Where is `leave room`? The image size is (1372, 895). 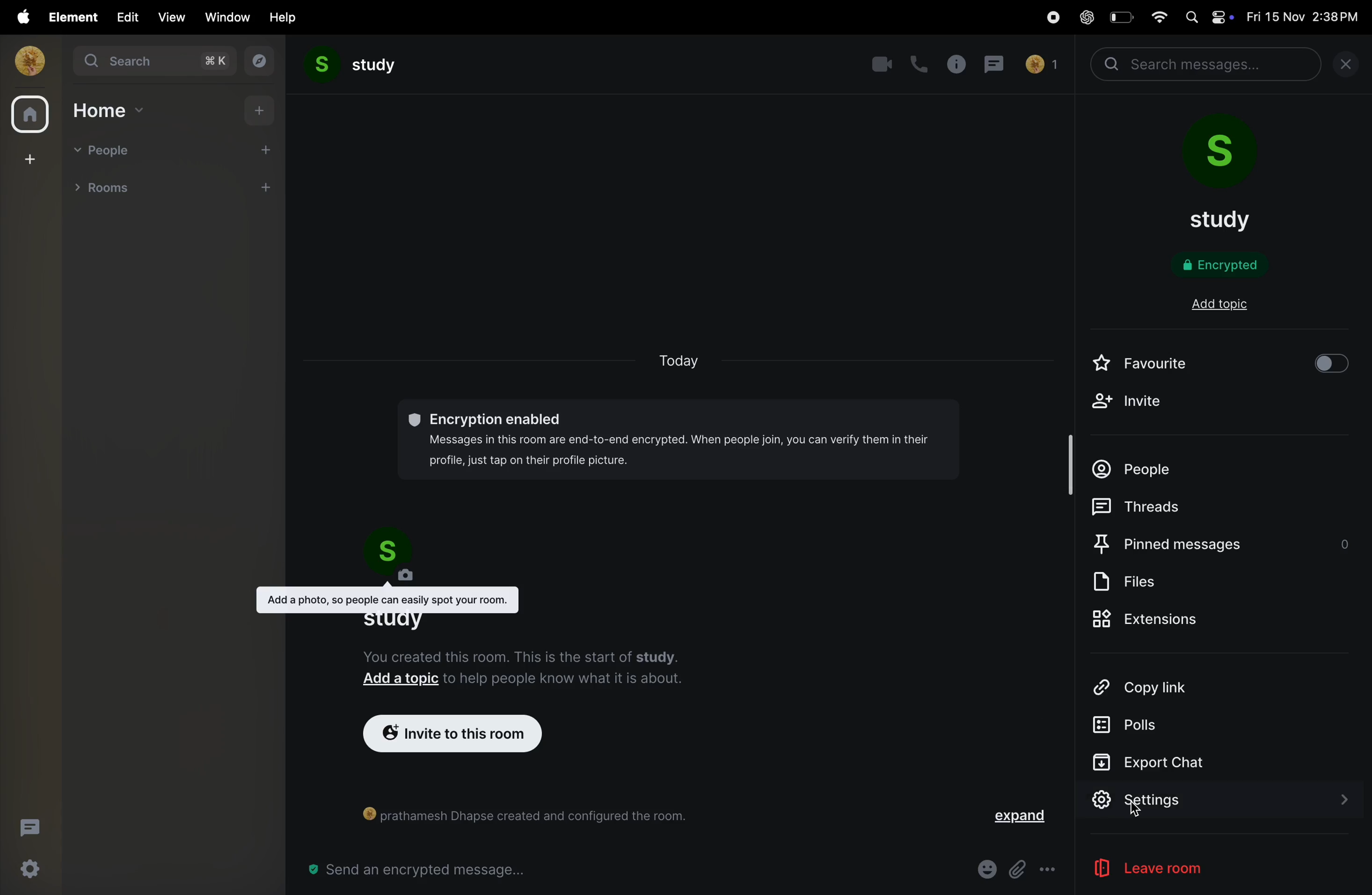
leave room is located at coordinates (1171, 869).